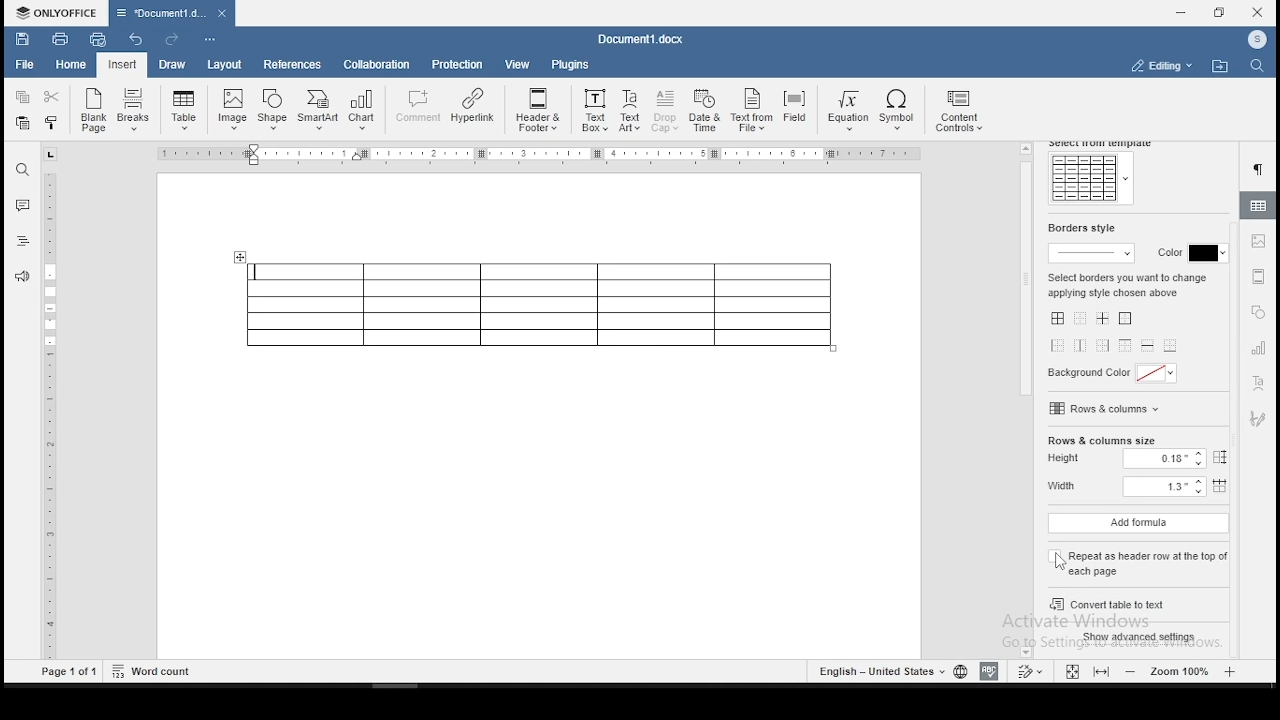 This screenshot has height=720, width=1280. Describe the element at coordinates (70, 673) in the screenshot. I see `Page1 of 1` at that location.